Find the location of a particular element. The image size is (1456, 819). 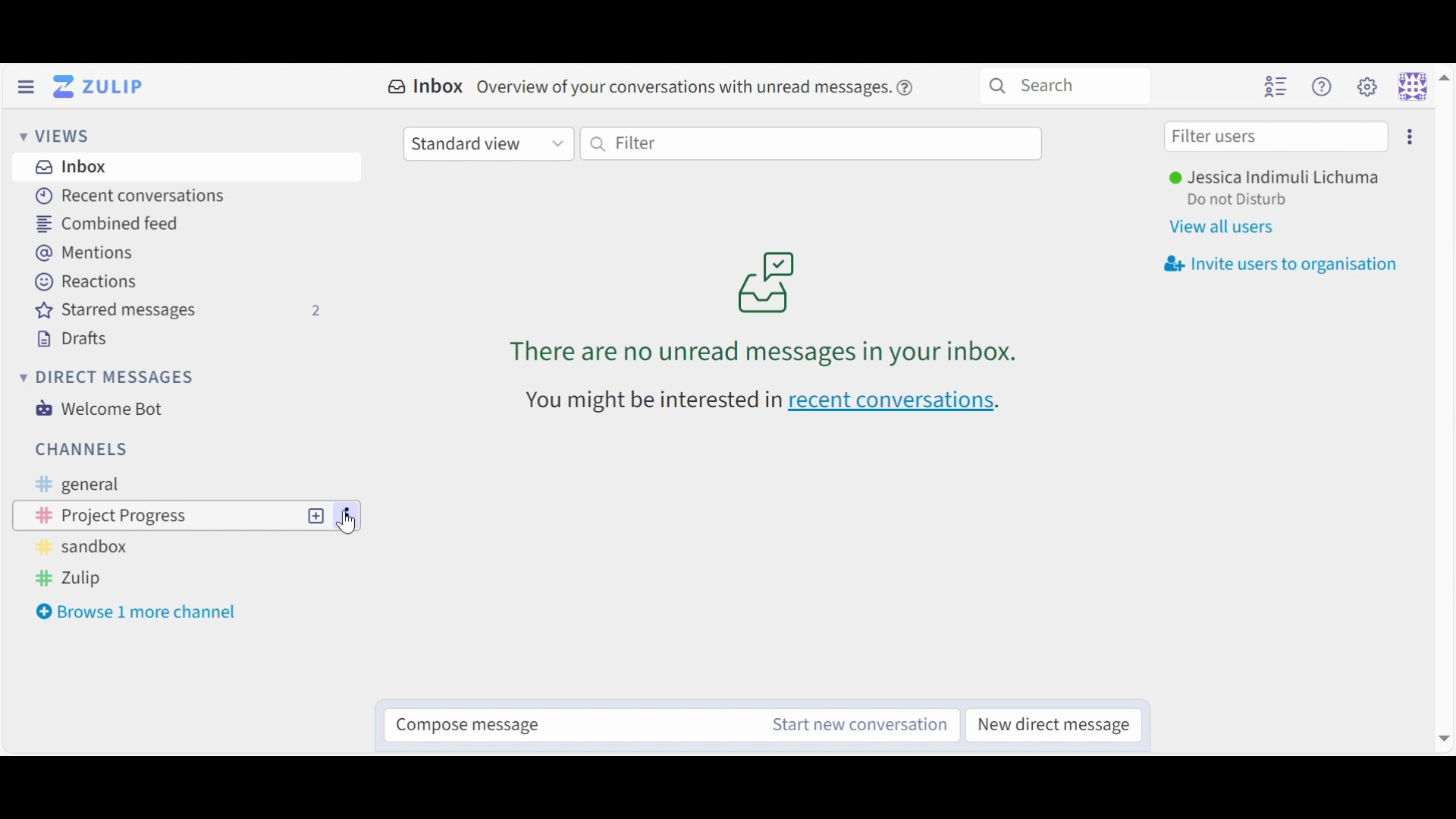

Reactions is located at coordinates (88, 283).